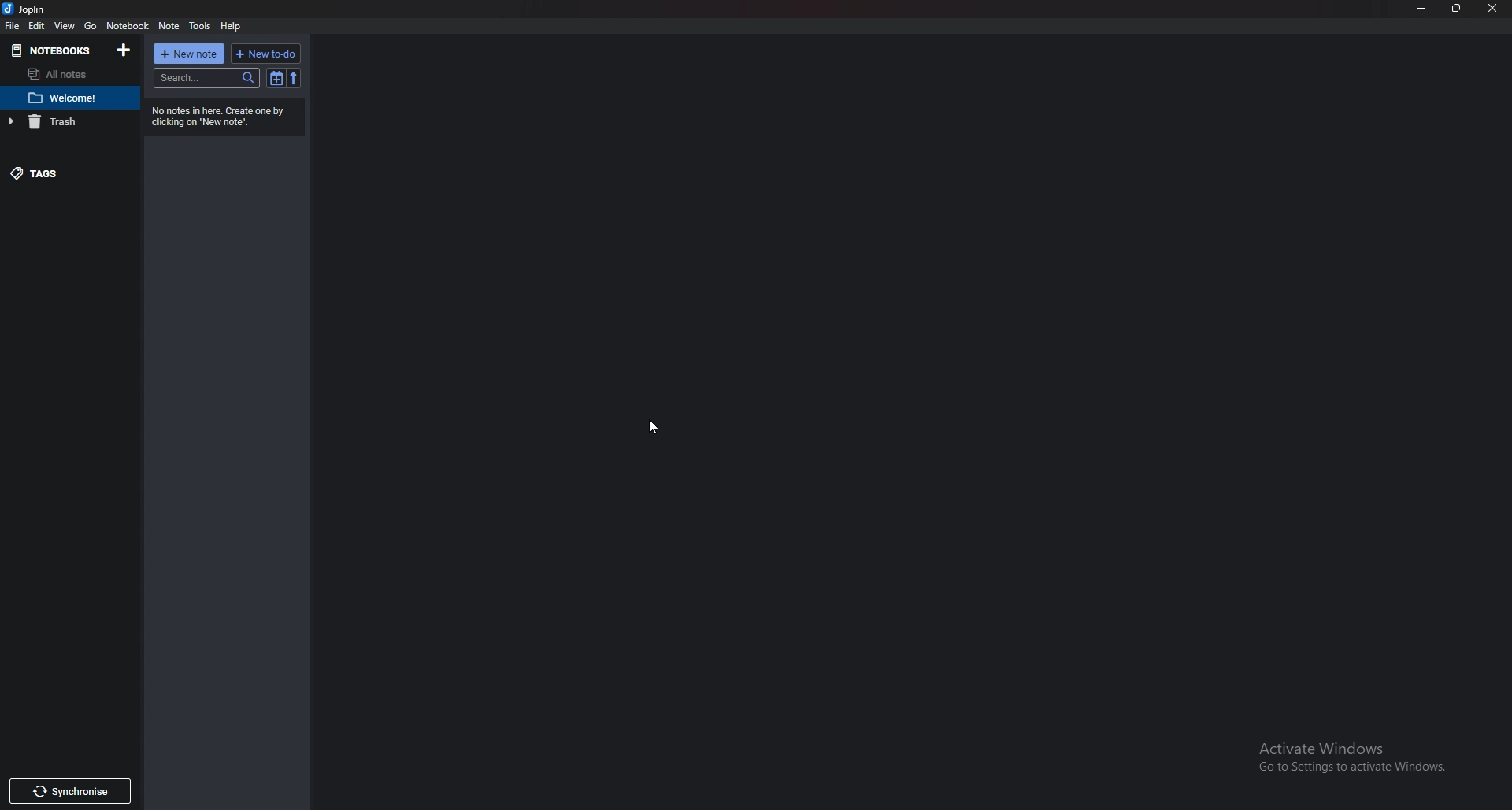  Describe the element at coordinates (266, 54) in the screenshot. I see `New to do` at that location.